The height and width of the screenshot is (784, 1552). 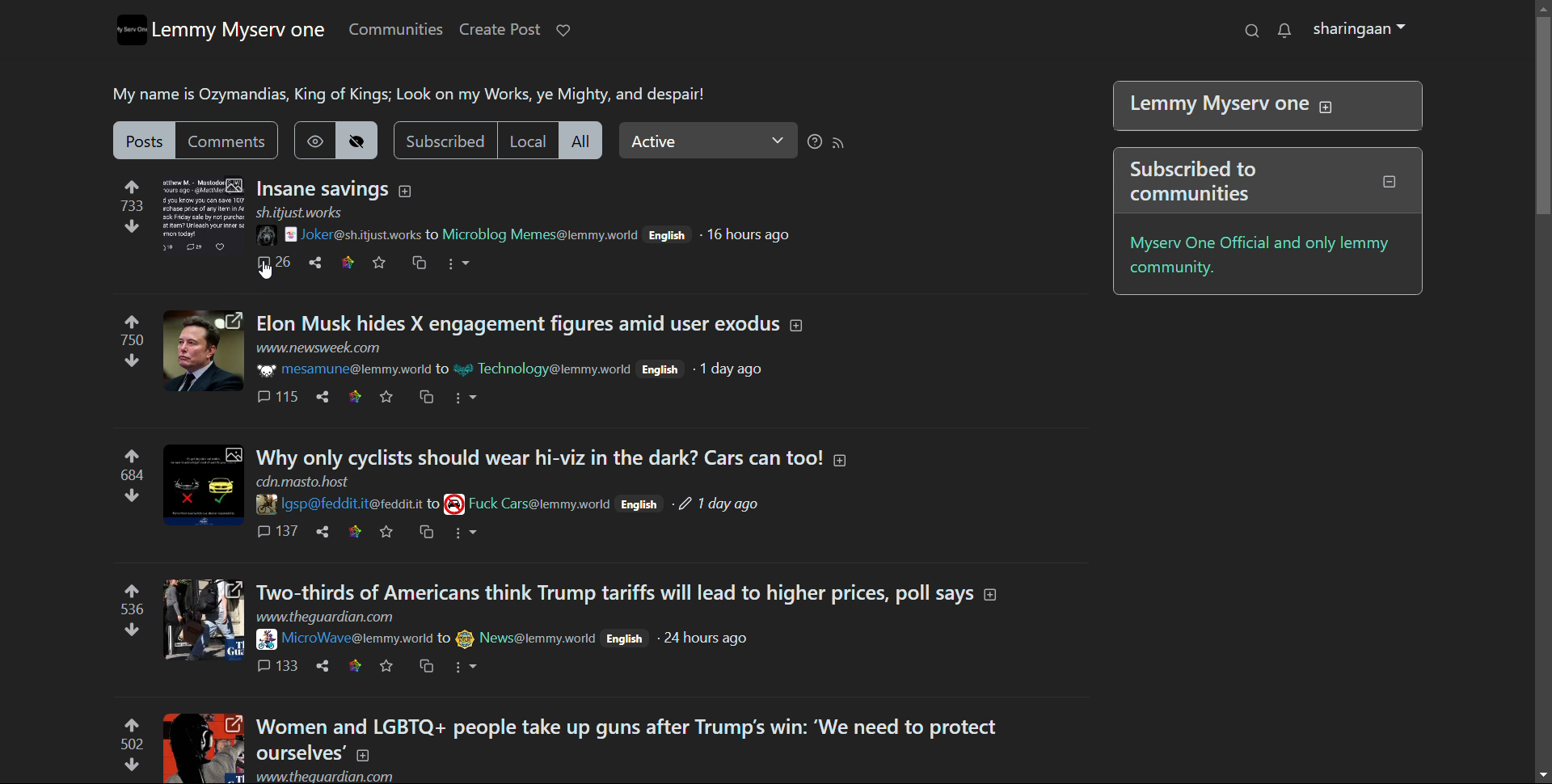 What do you see at coordinates (131, 226) in the screenshot?
I see ` downvotes` at bounding box center [131, 226].